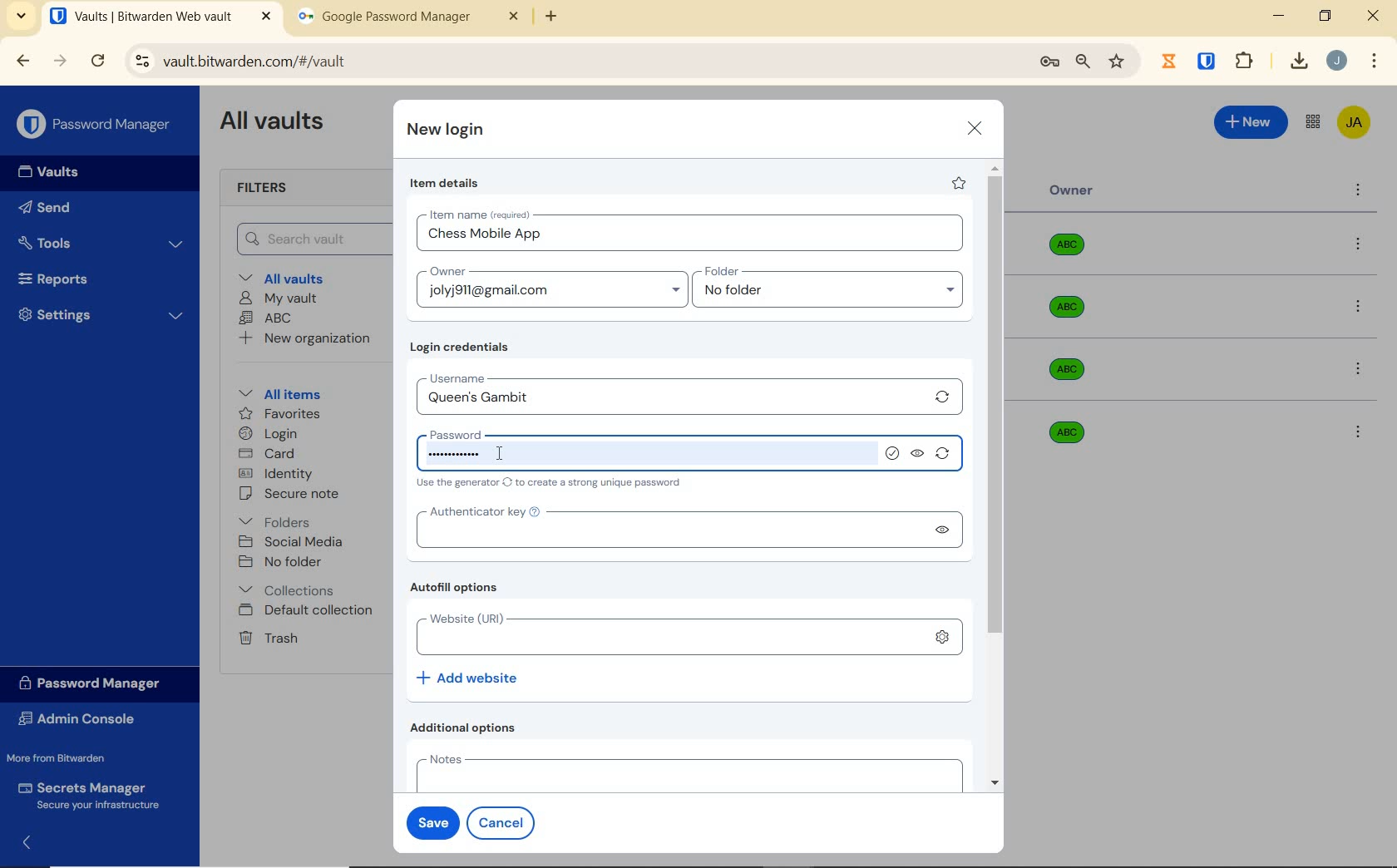 Image resolution: width=1397 pixels, height=868 pixels. Describe the element at coordinates (481, 215) in the screenshot. I see `Item name` at that location.